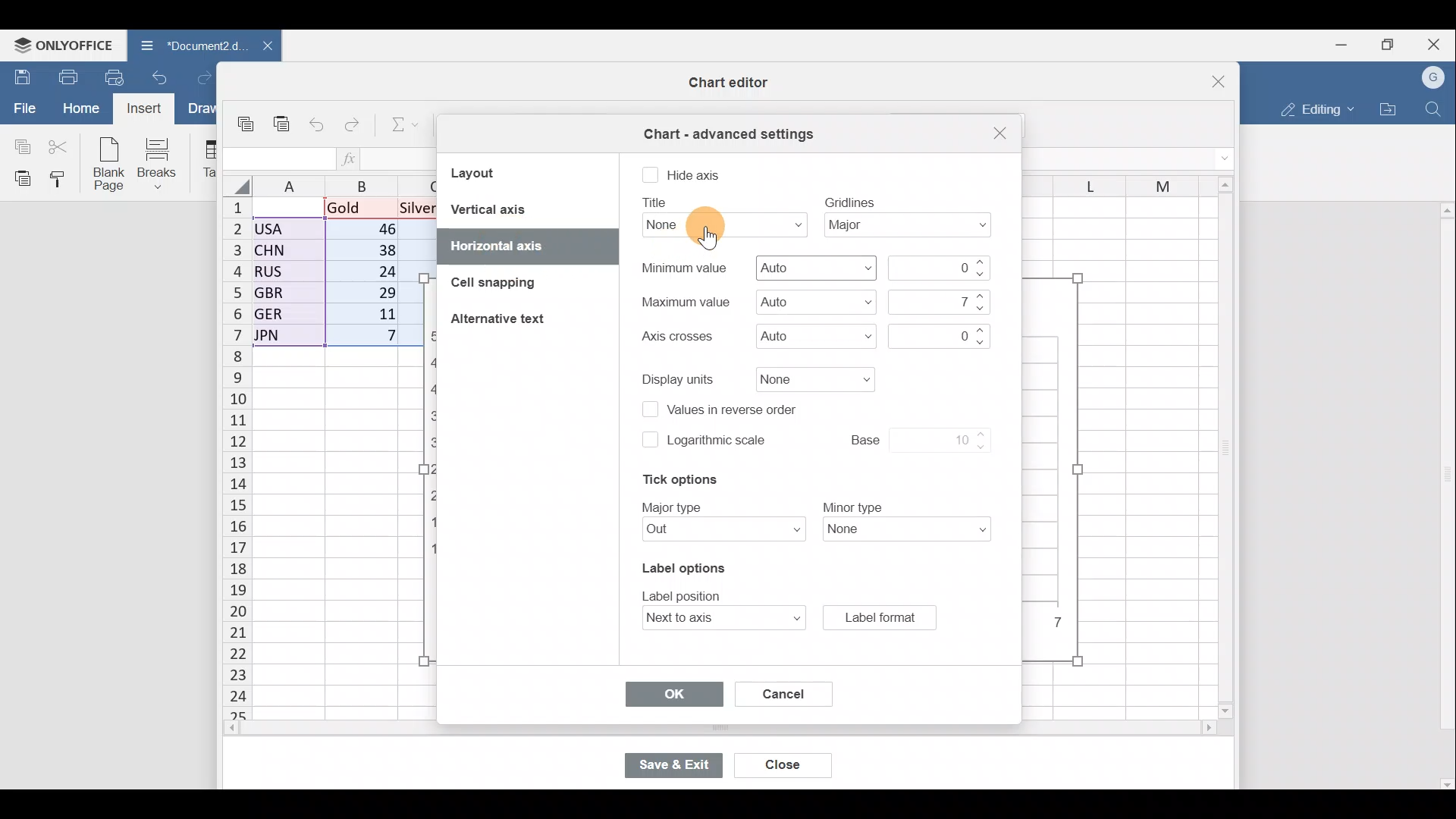 The image size is (1456, 819). I want to click on Copy, so click(19, 145).